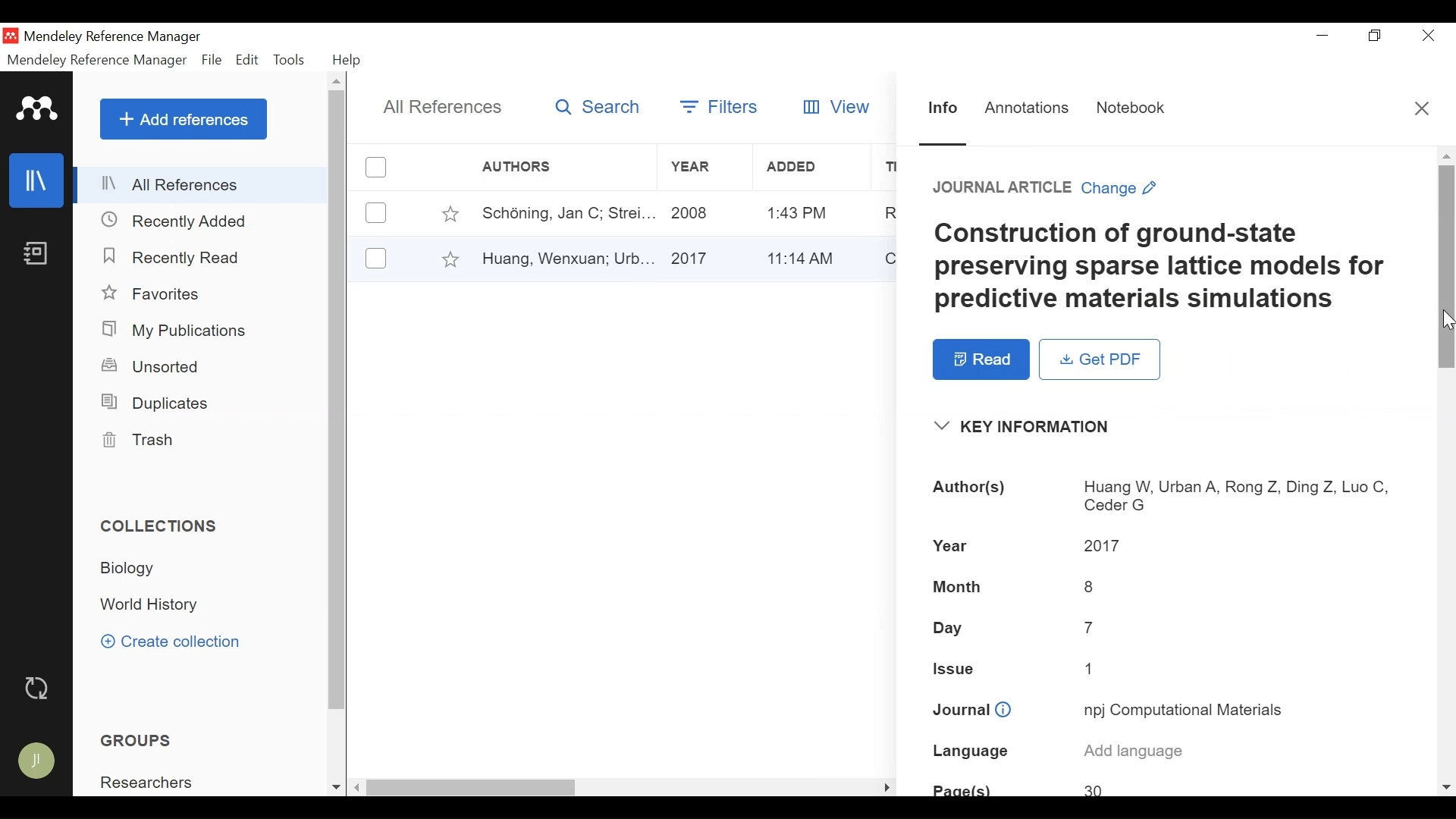  Describe the element at coordinates (176, 331) in the screenshot. I see `My Publications` at that location.